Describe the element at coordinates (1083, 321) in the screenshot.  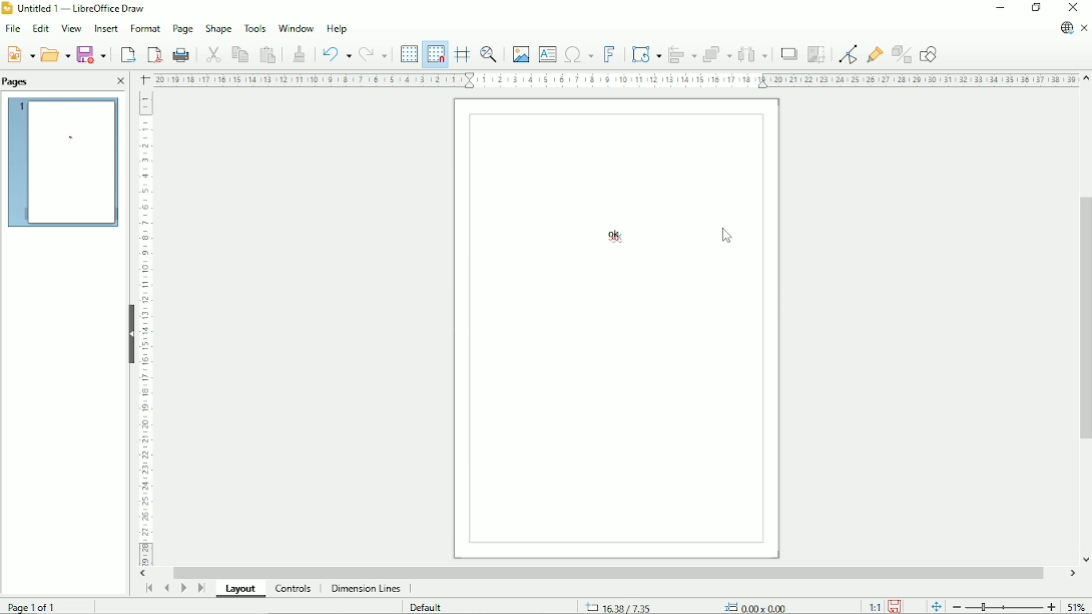
I see `Vertical scrollbar` at that location.